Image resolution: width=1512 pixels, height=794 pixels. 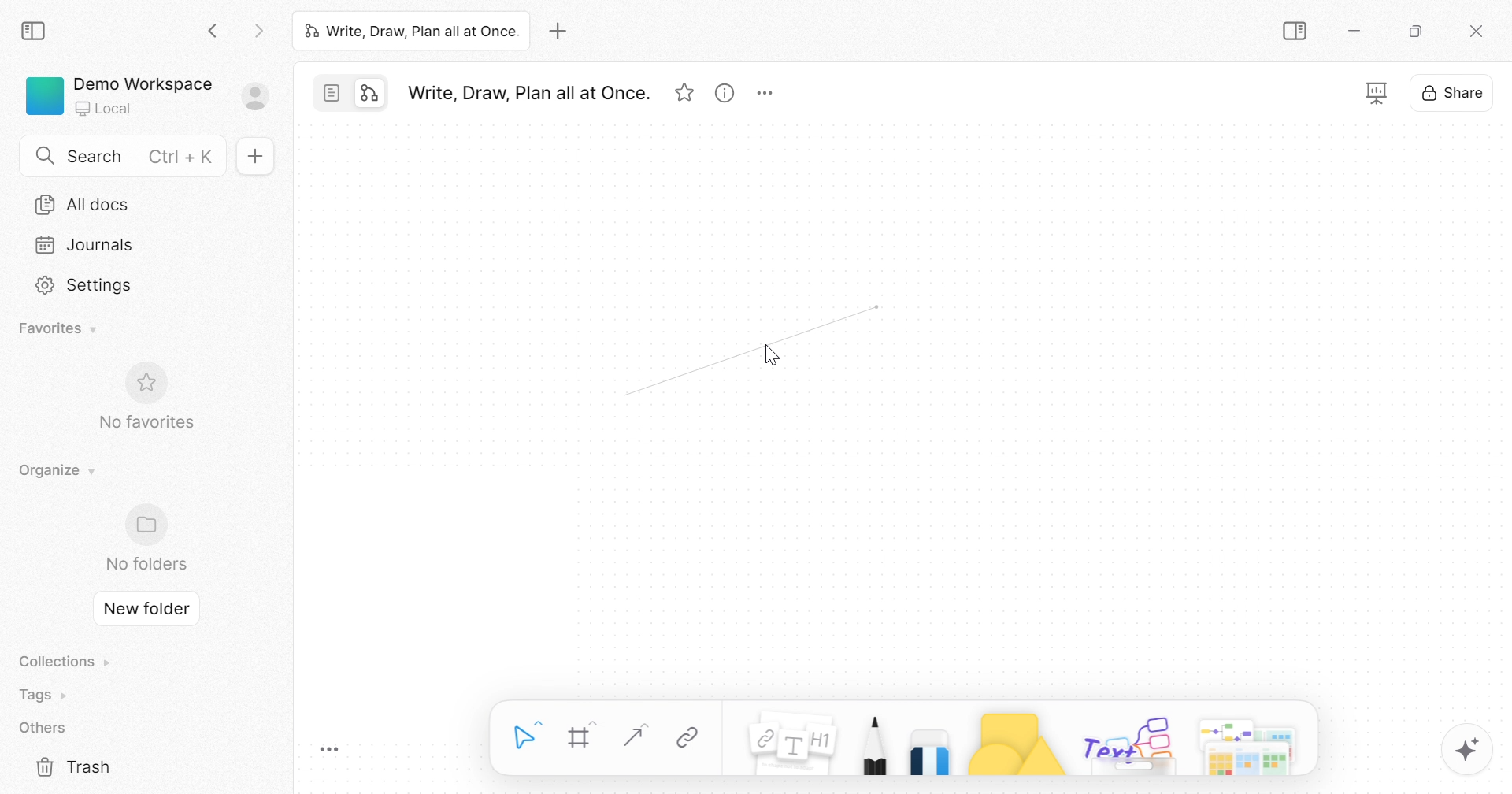 What do you see at coordinates (147, 609) in the screenshot?
I see `New folder` at bounding box center [147, 609].